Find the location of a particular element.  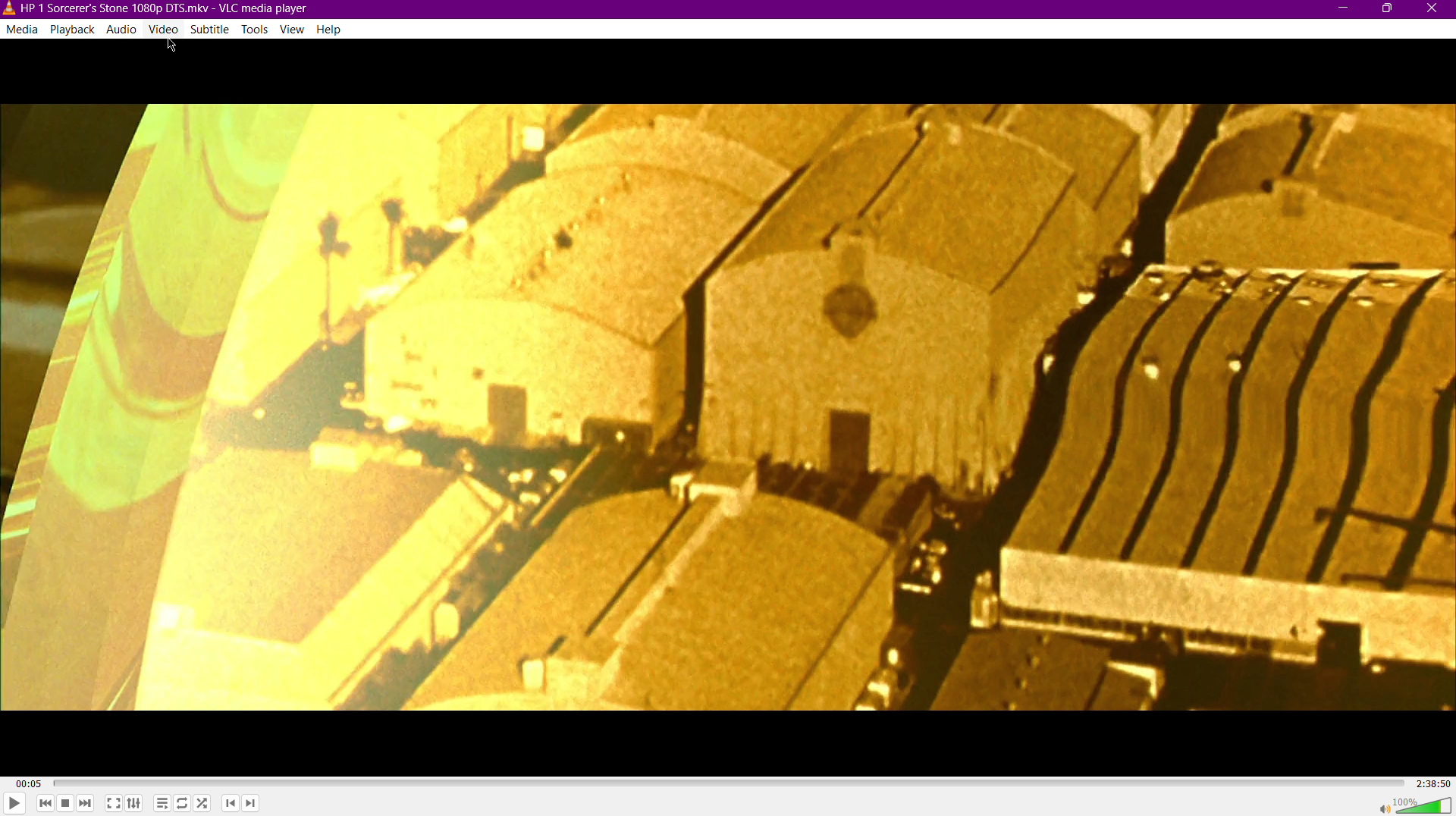

Timeline is located at coordinates (730, 782).